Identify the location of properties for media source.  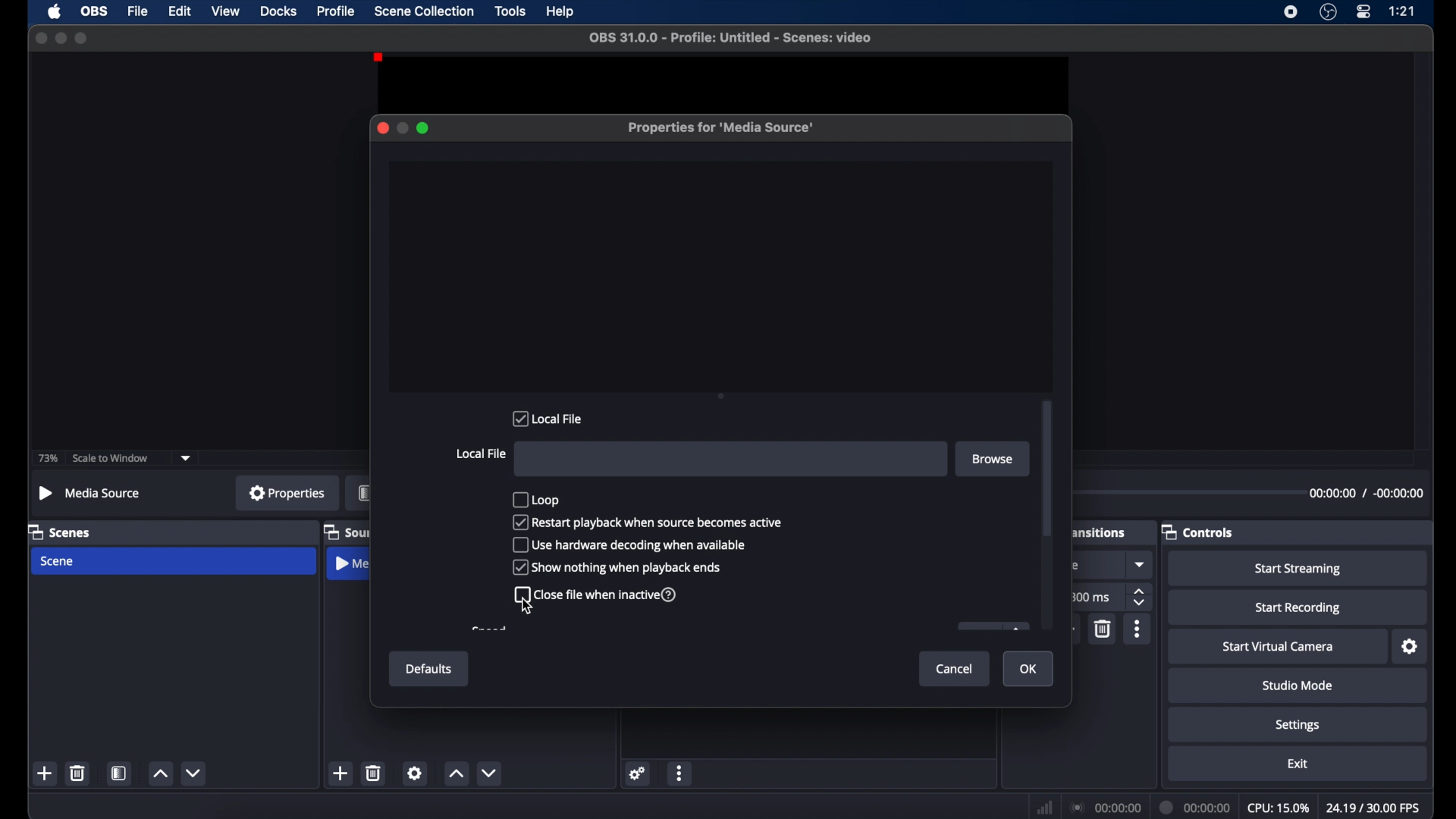
(720, 127).